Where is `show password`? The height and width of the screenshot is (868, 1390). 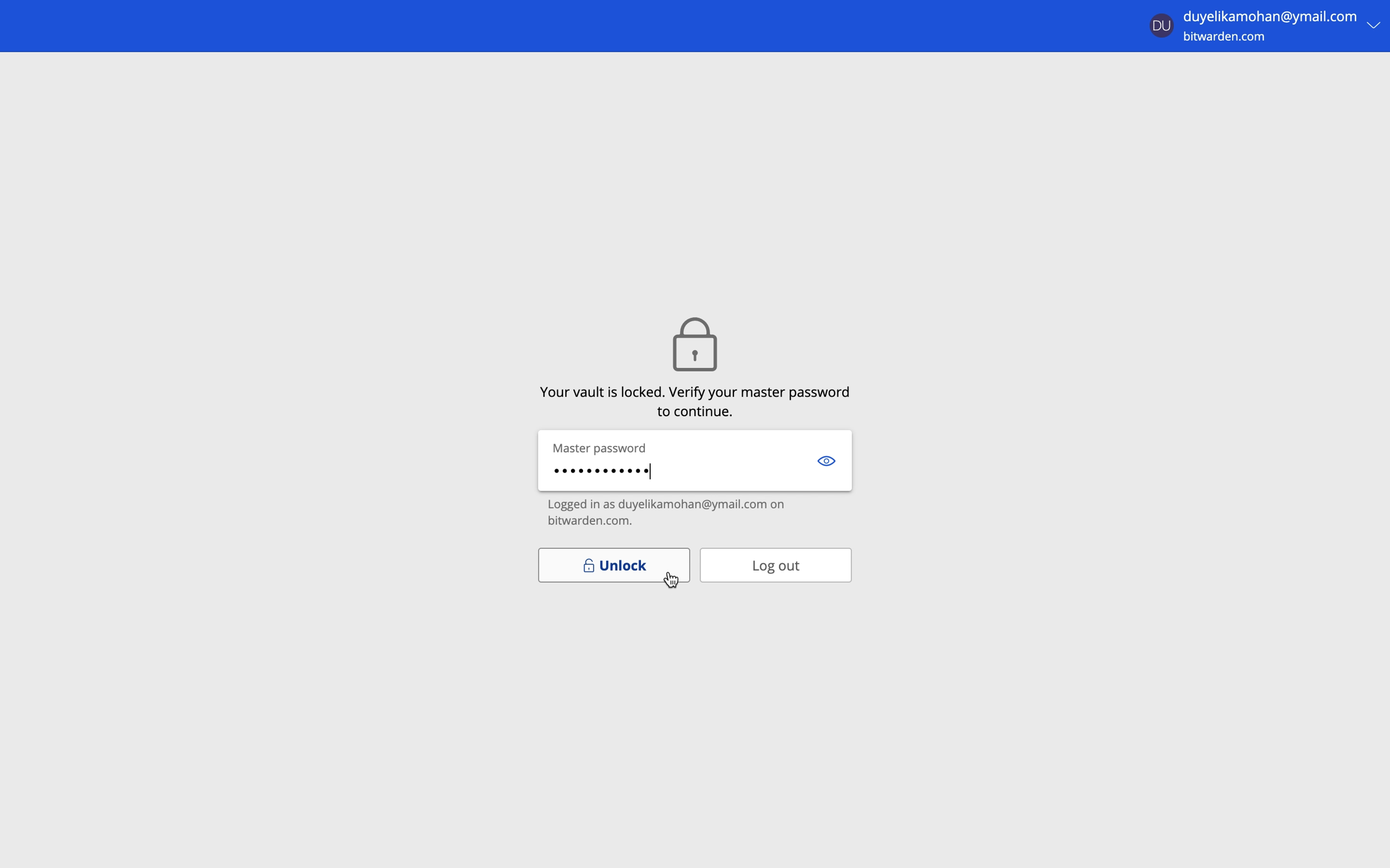
show password is located at coordinates (827, 459).